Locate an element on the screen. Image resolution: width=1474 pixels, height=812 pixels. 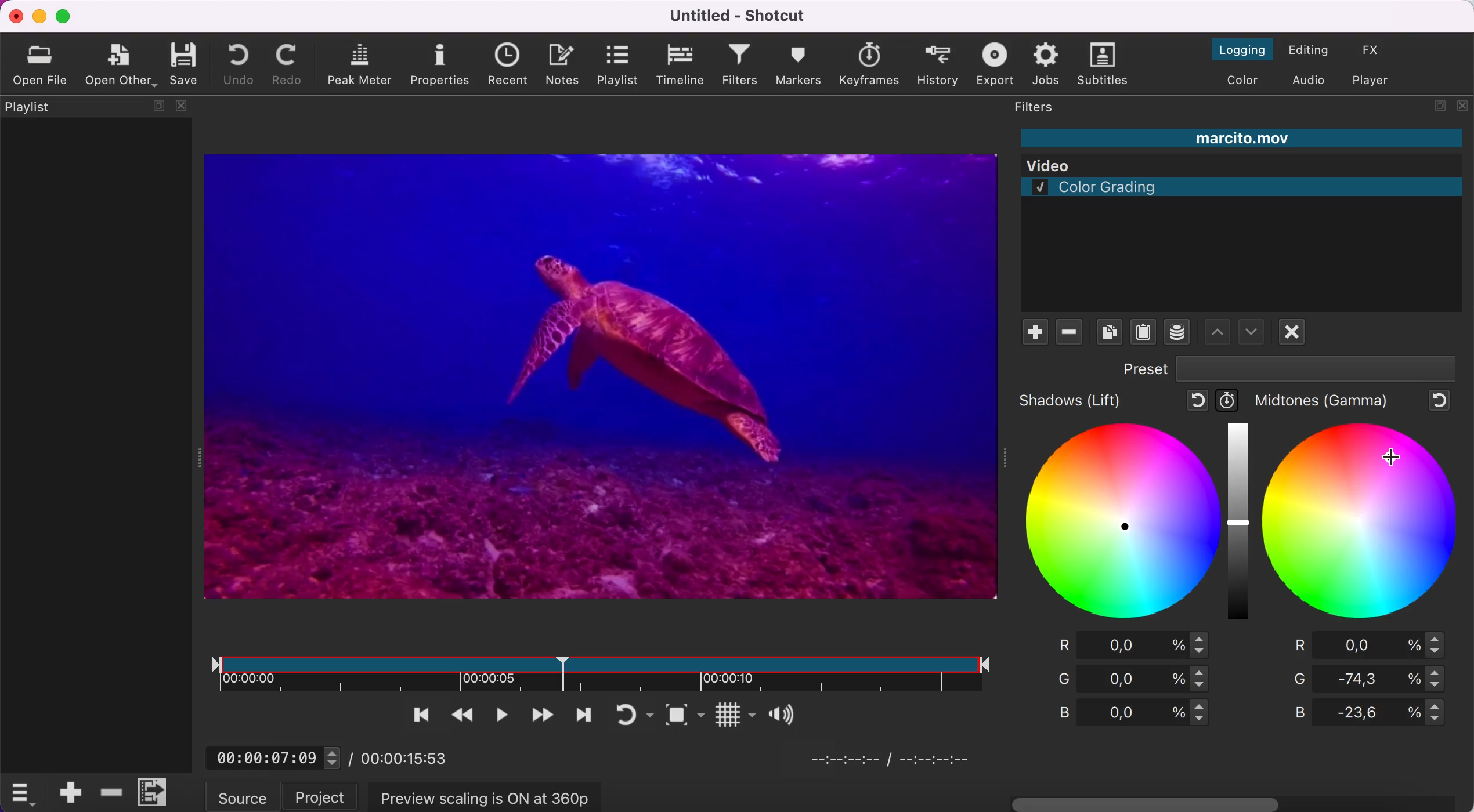
blue is located at coordinates (1367, 712).